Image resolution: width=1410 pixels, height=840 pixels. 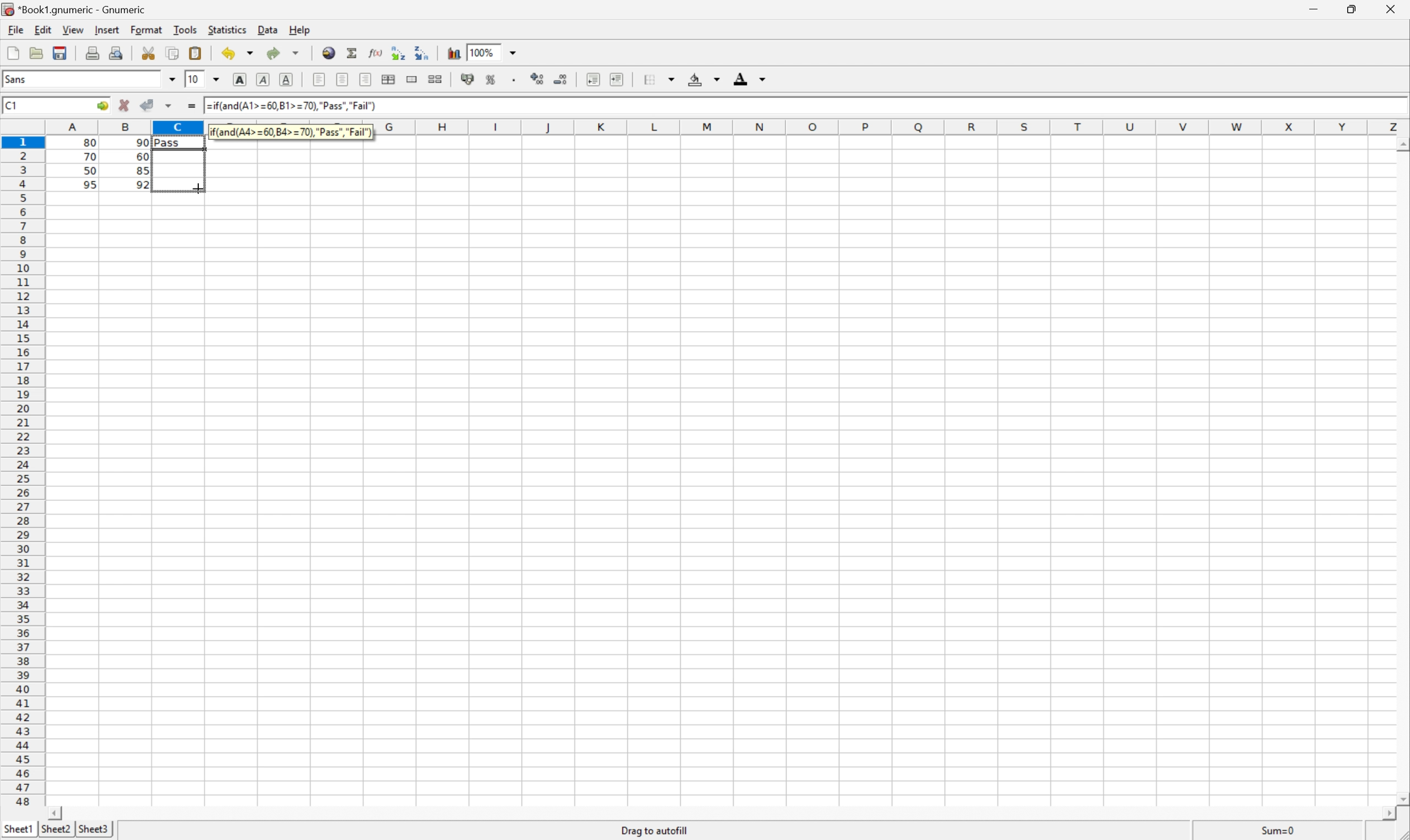 What do you see at coordinates (288, 79) in the screenshot?
I see `Underline` at bounding box center [288, 79].